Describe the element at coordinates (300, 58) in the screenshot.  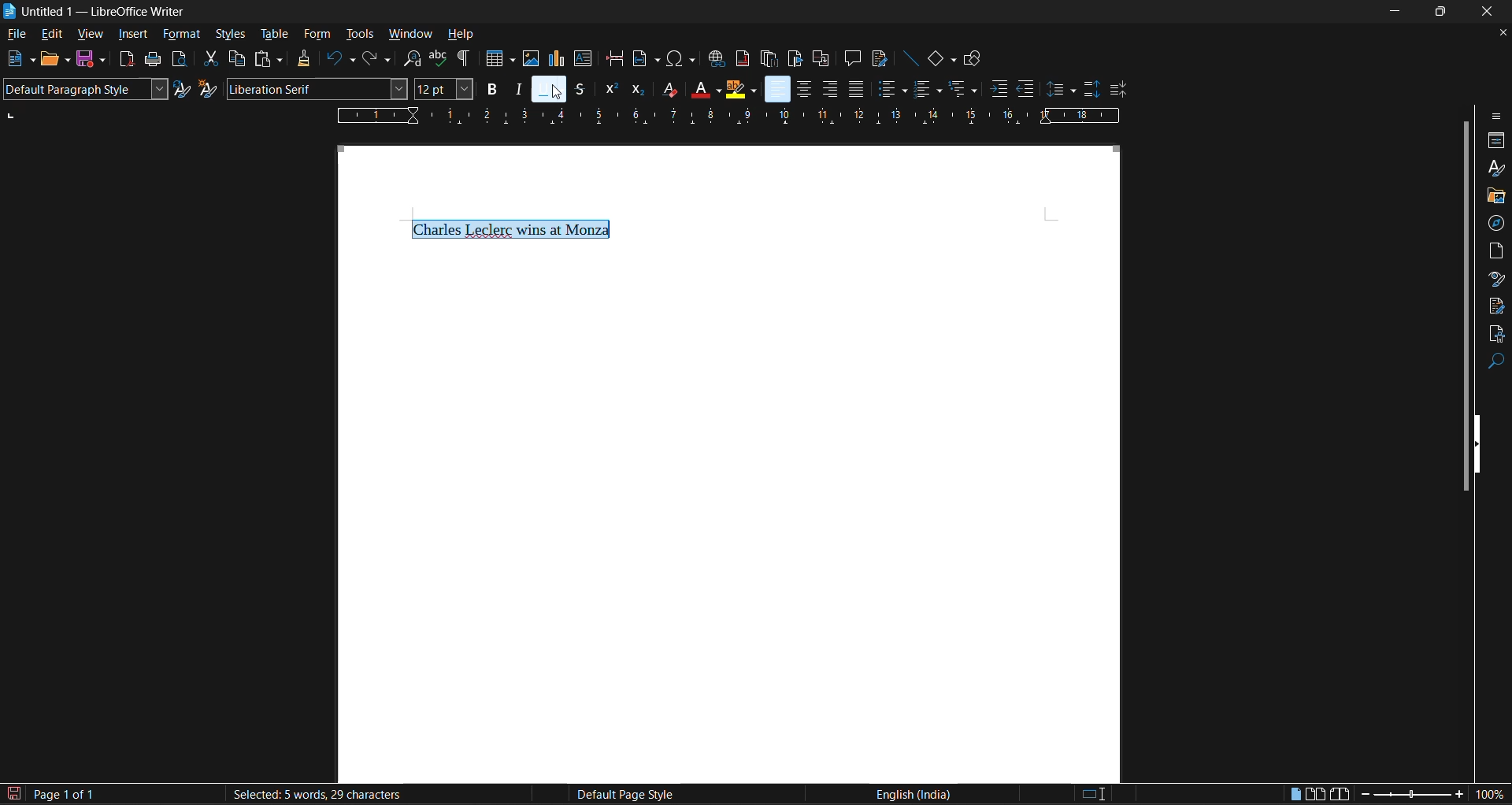
I see `clone formatting` at that location.